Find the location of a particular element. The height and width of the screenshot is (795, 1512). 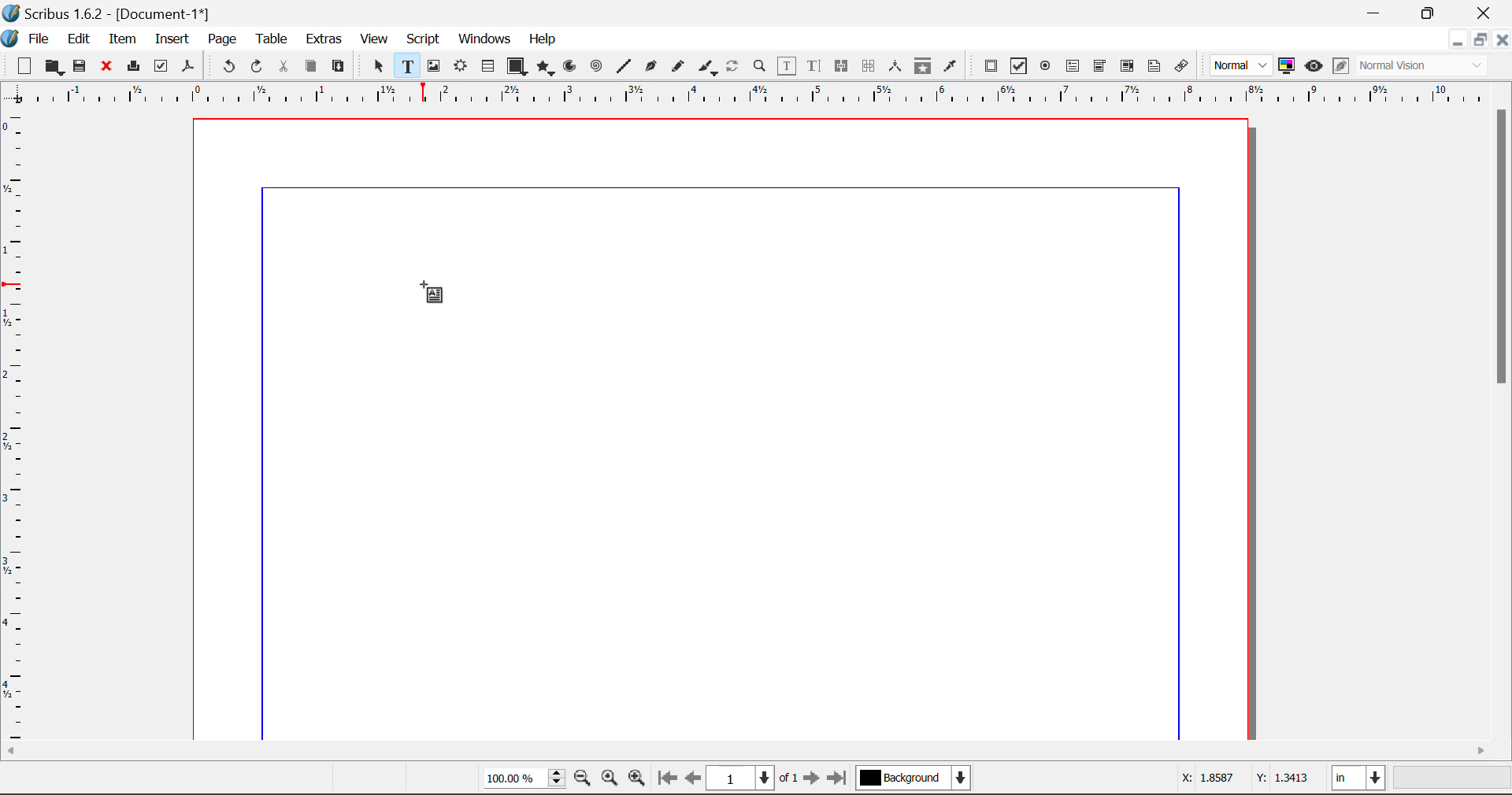

Delink Frames is located at coordinates (870, 66).